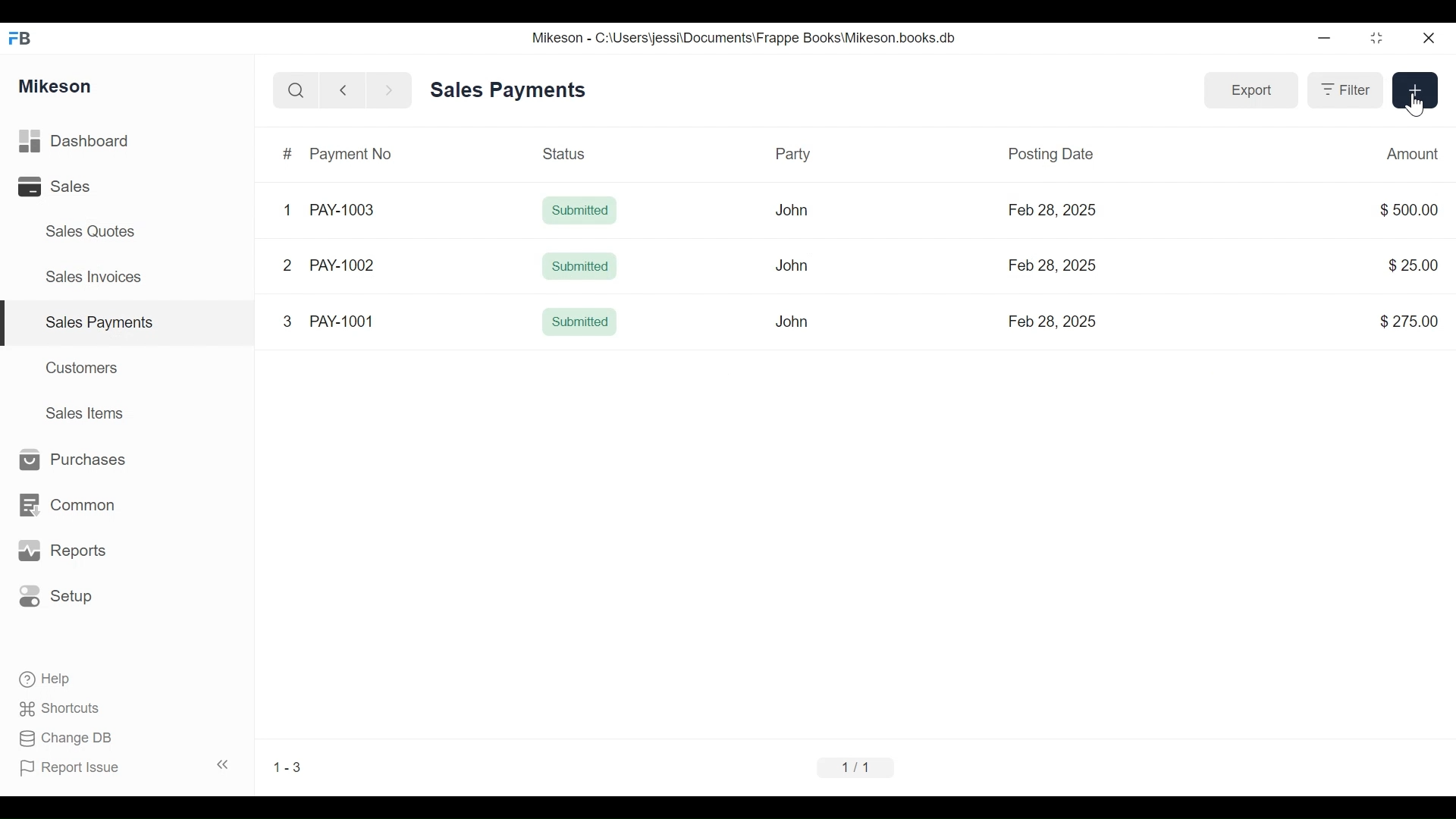 This screenshot has width=1456, height=819. What do you see at coordinates (88, 278) in the screenshot?
I see `Sales Invoices` at bounding box center [88, 278].